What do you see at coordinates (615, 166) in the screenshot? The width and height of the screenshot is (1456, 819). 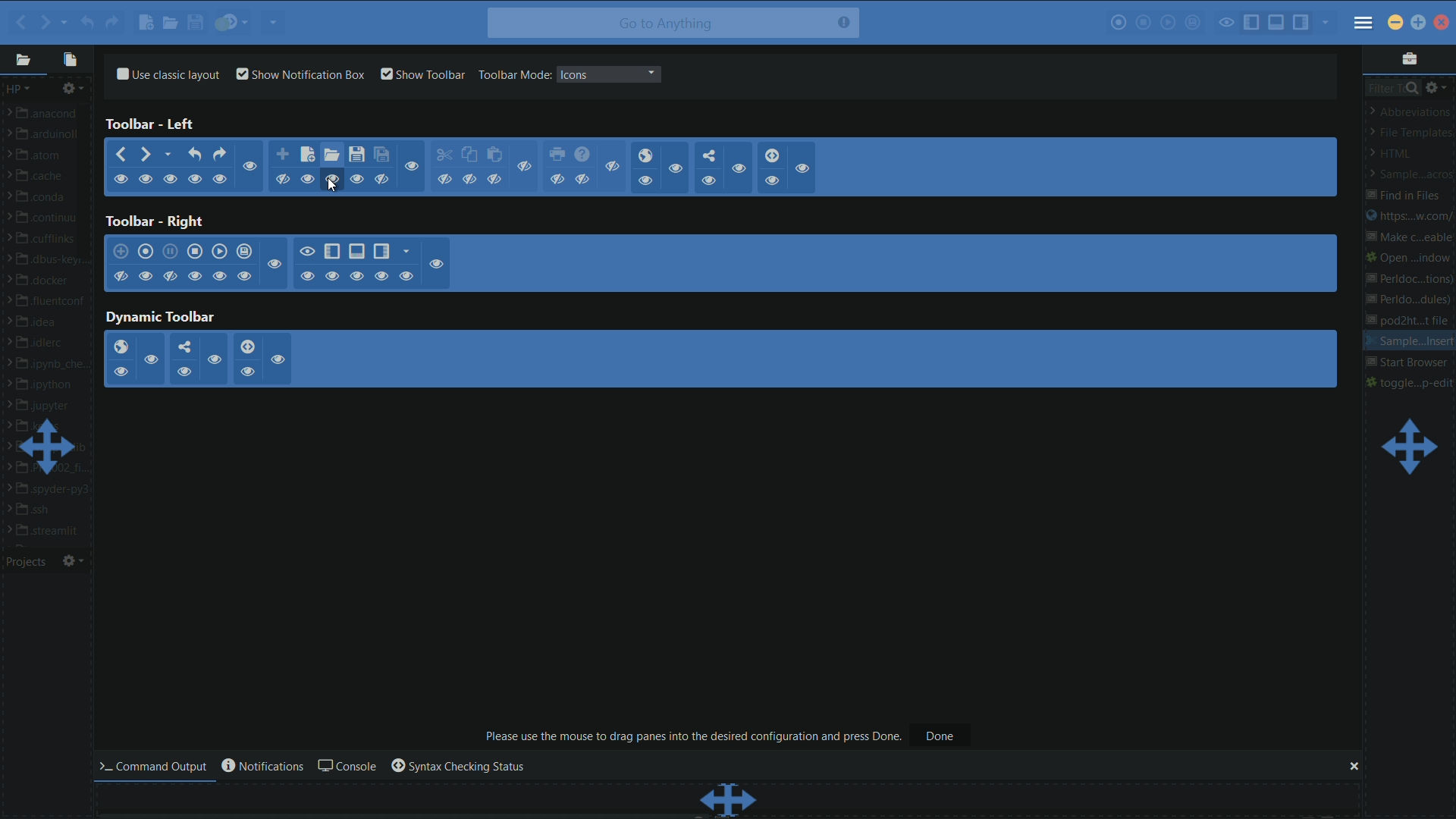 I see `show/hide` at bounding box center [615, 166].